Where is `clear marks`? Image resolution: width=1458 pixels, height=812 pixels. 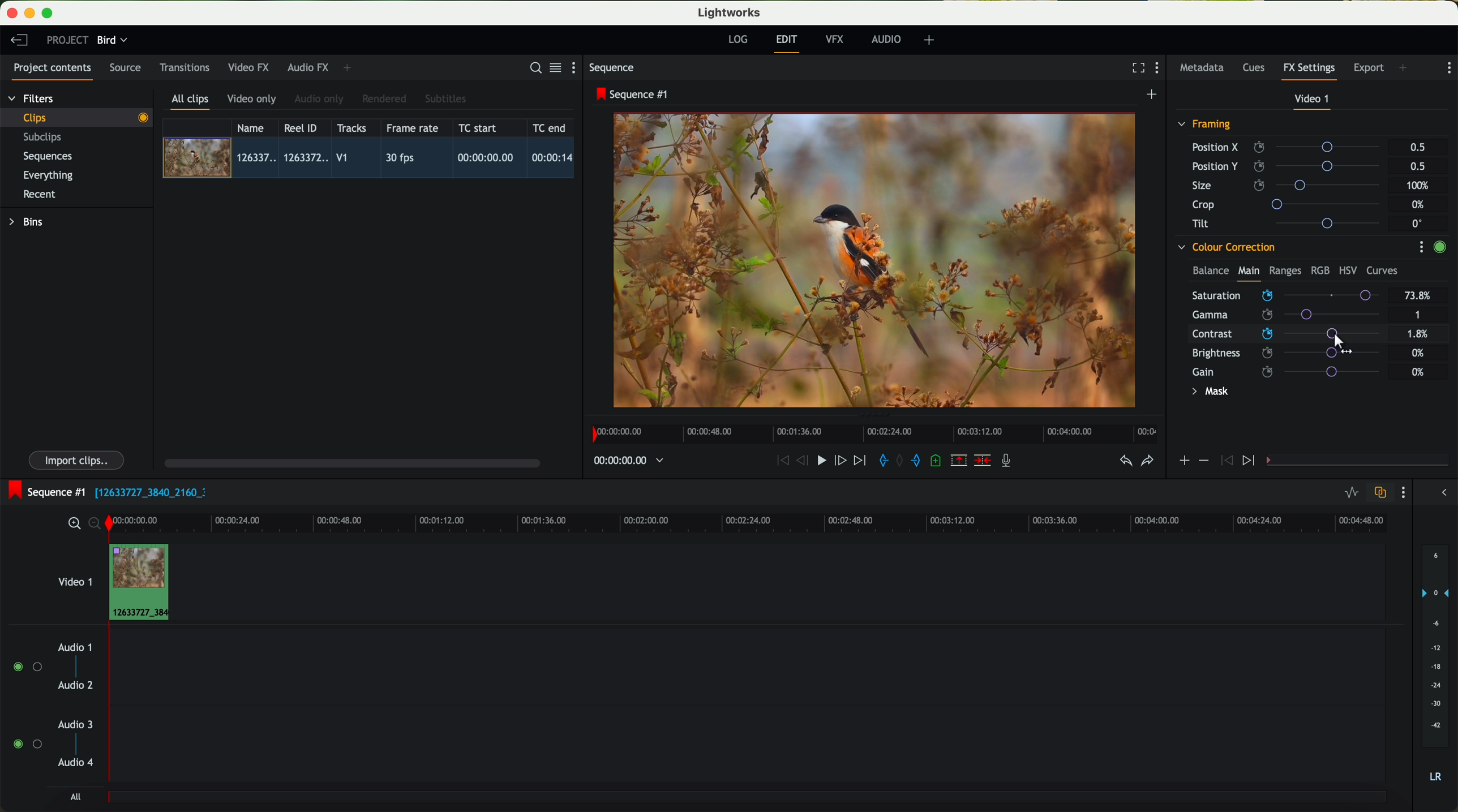 clear marks is located at coordinates (900, 461).